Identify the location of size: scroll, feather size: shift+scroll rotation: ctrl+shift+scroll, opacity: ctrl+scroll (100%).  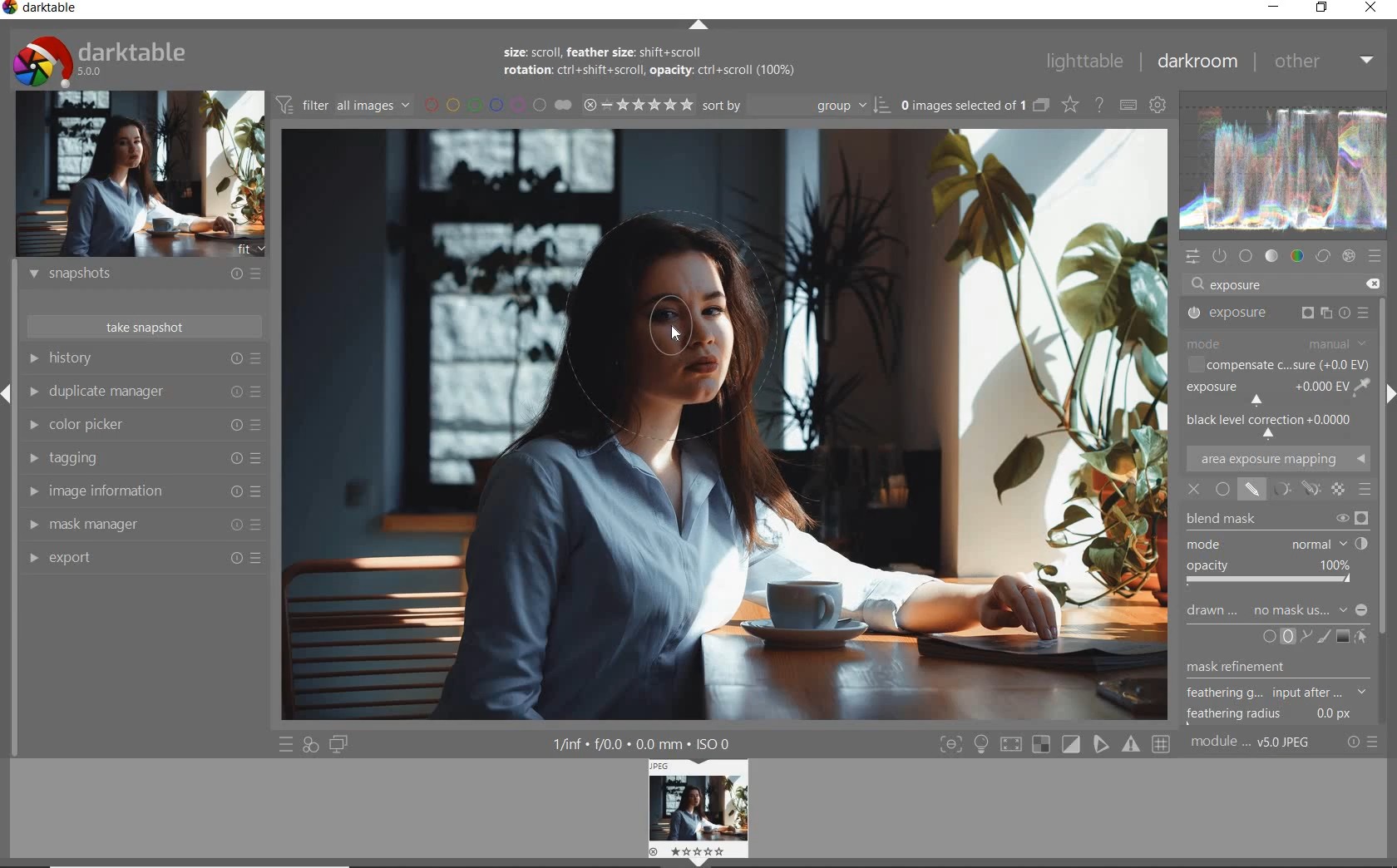
(653, 62).